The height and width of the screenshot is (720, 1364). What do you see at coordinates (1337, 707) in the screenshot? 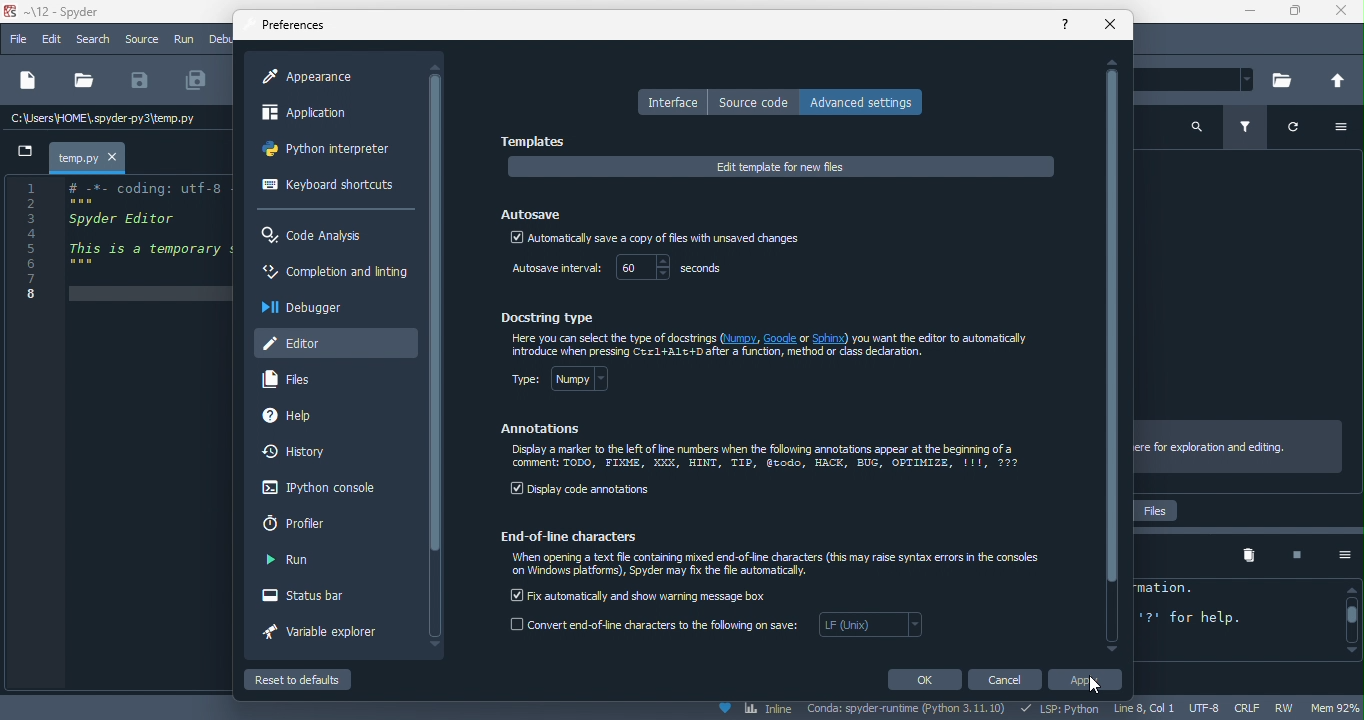
I see `mem 92%` at bounding box center [1337, 707].